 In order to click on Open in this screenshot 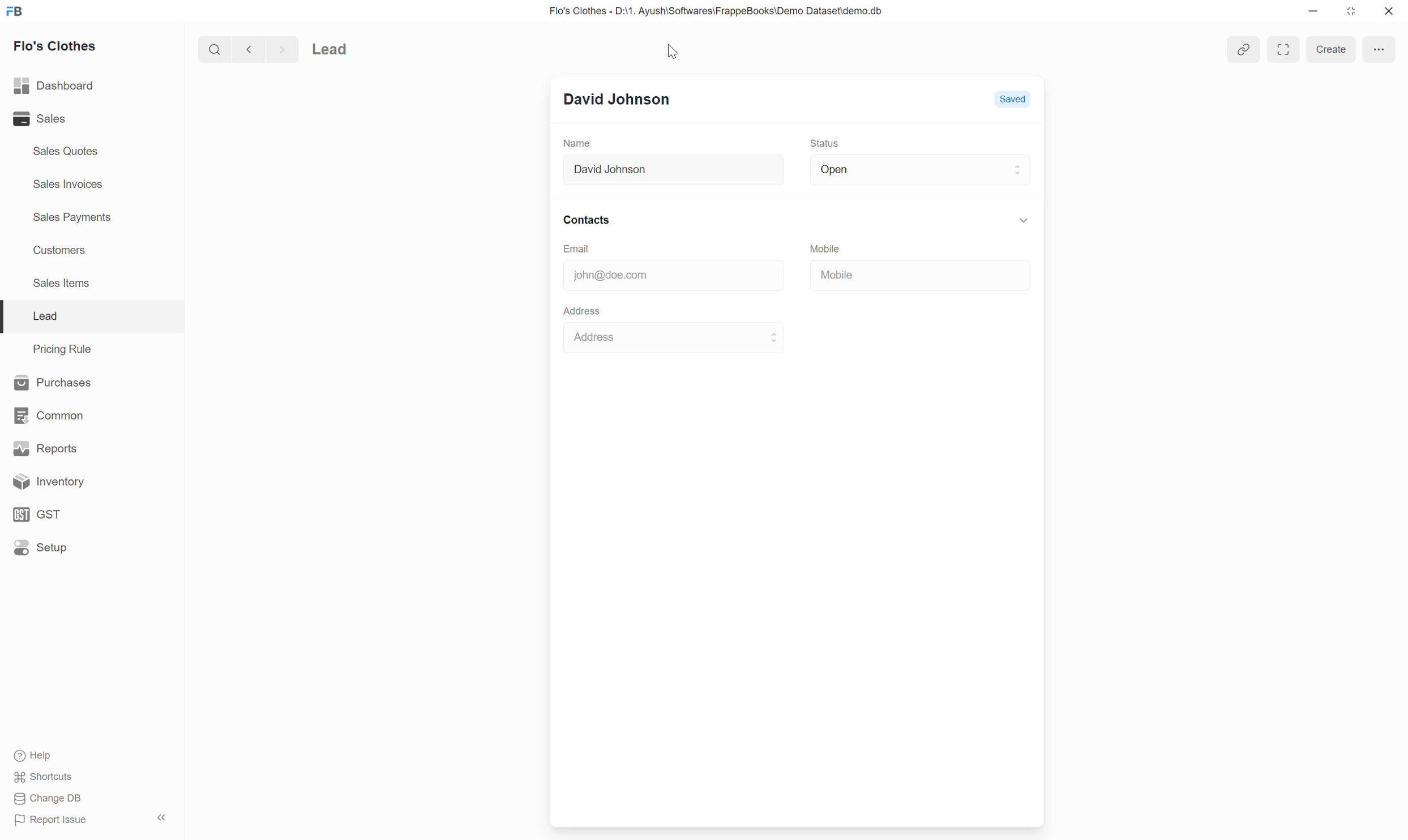, I will do `click(918, 169)`.